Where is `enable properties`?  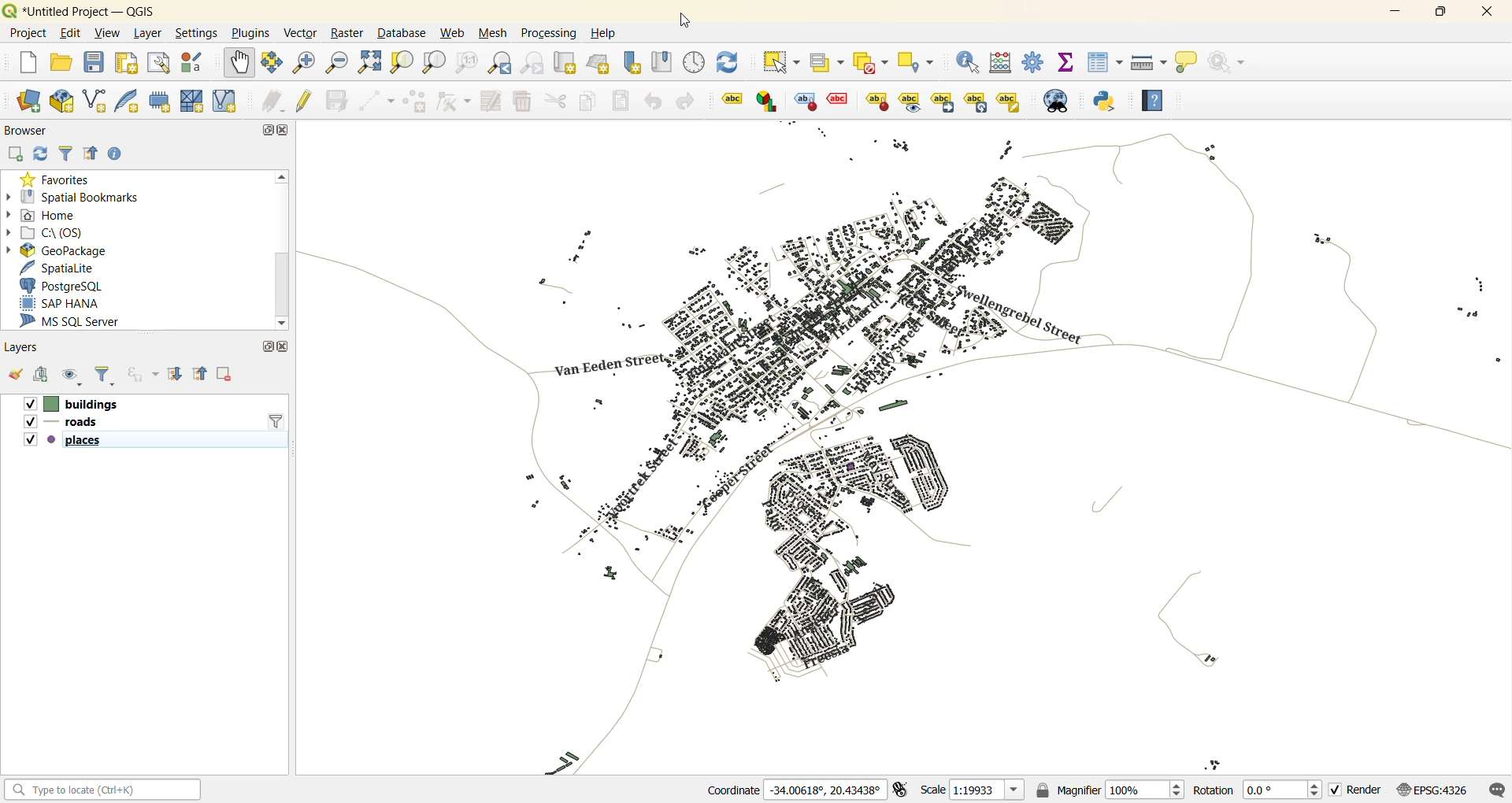
enable properties is located at coordinates (117, 154).